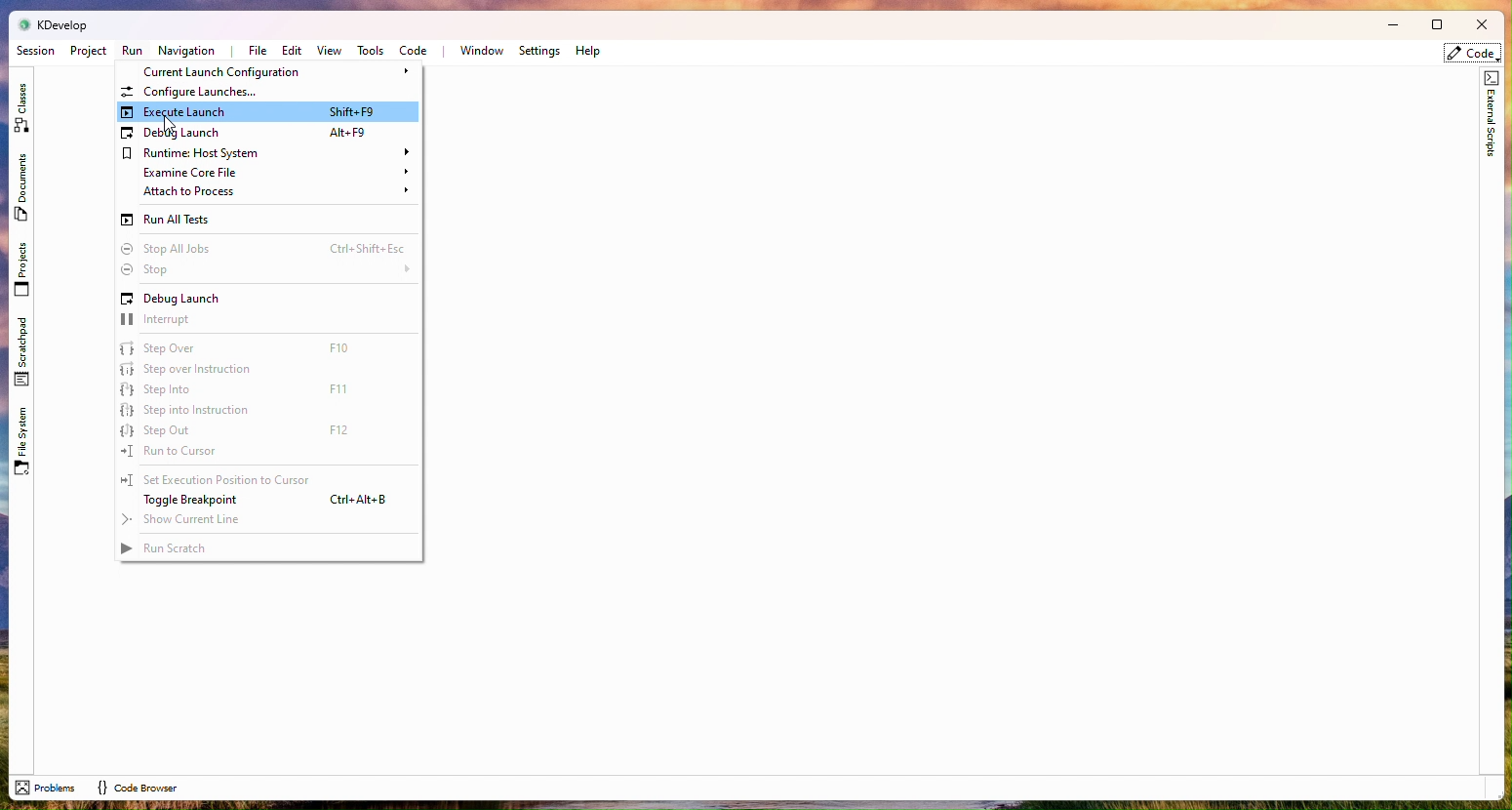  Describe the element at coordinates (1435, 24) in the screenshot. I see `Box` at that location.